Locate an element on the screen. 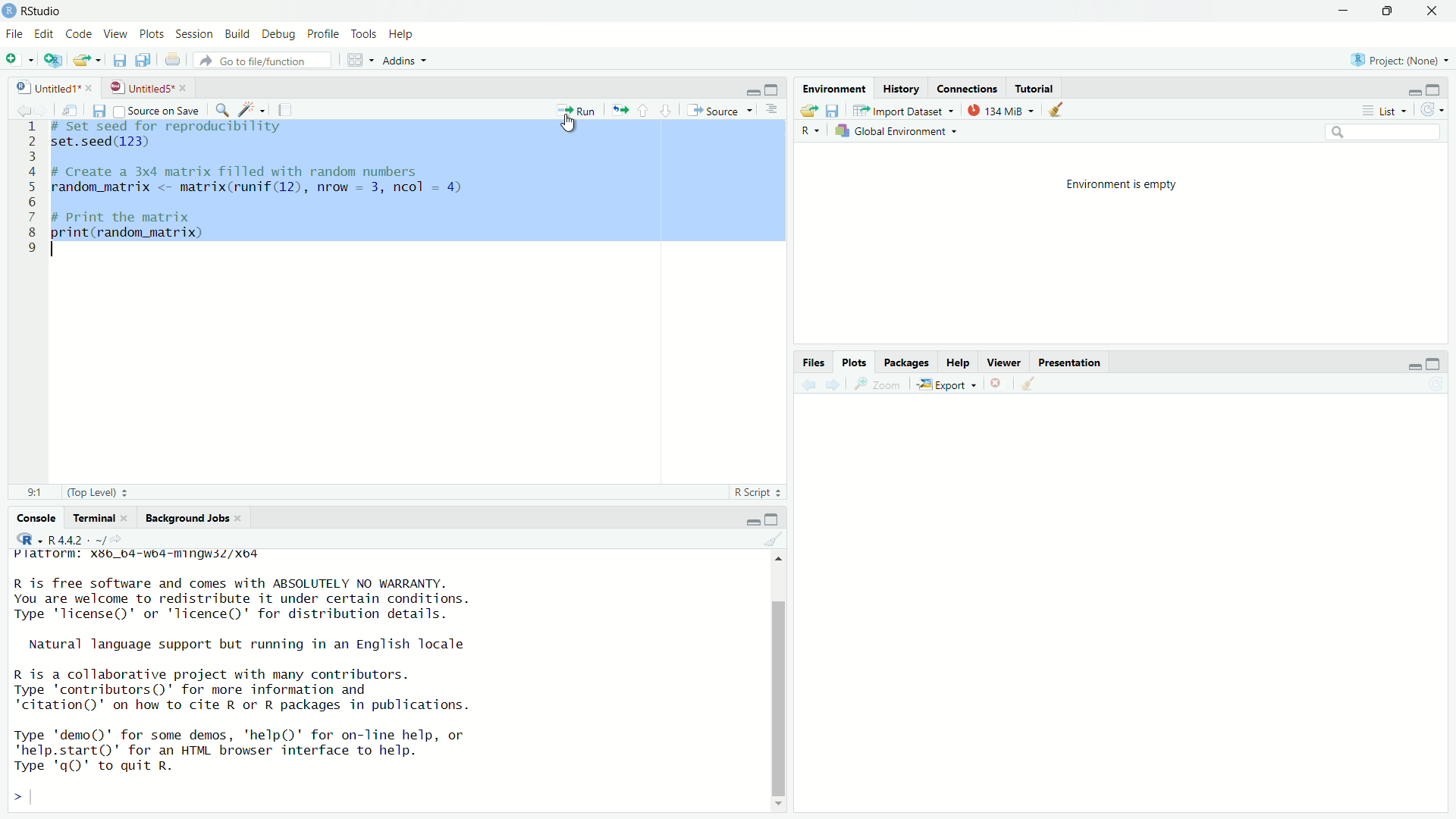 The width and height of the screenshot is (1456, 819). Source on Save is located at coordinates (156, 110).